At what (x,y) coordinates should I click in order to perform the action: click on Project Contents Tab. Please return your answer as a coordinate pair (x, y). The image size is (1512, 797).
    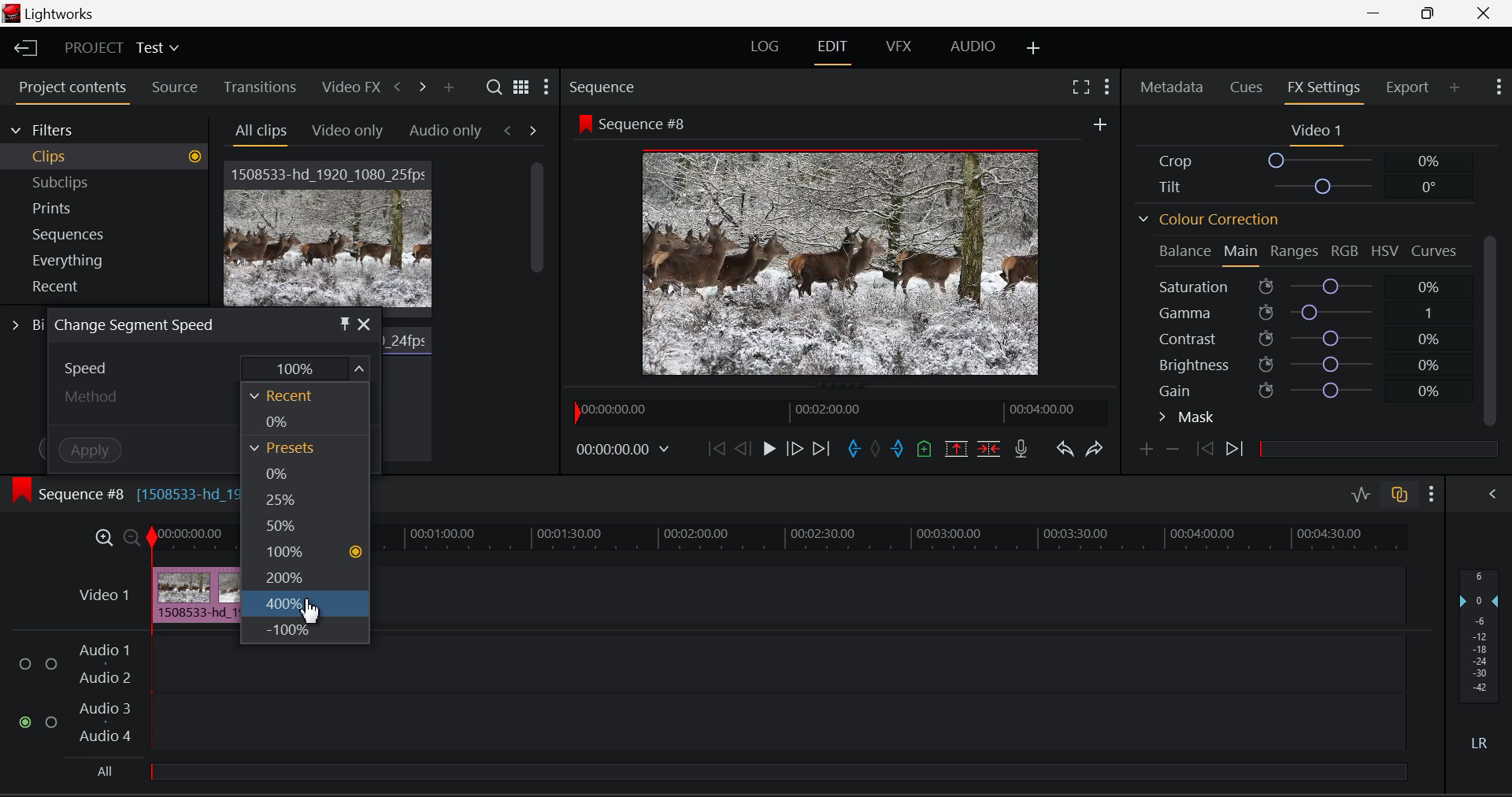
    Looking at the image, I should click on (74, 89).